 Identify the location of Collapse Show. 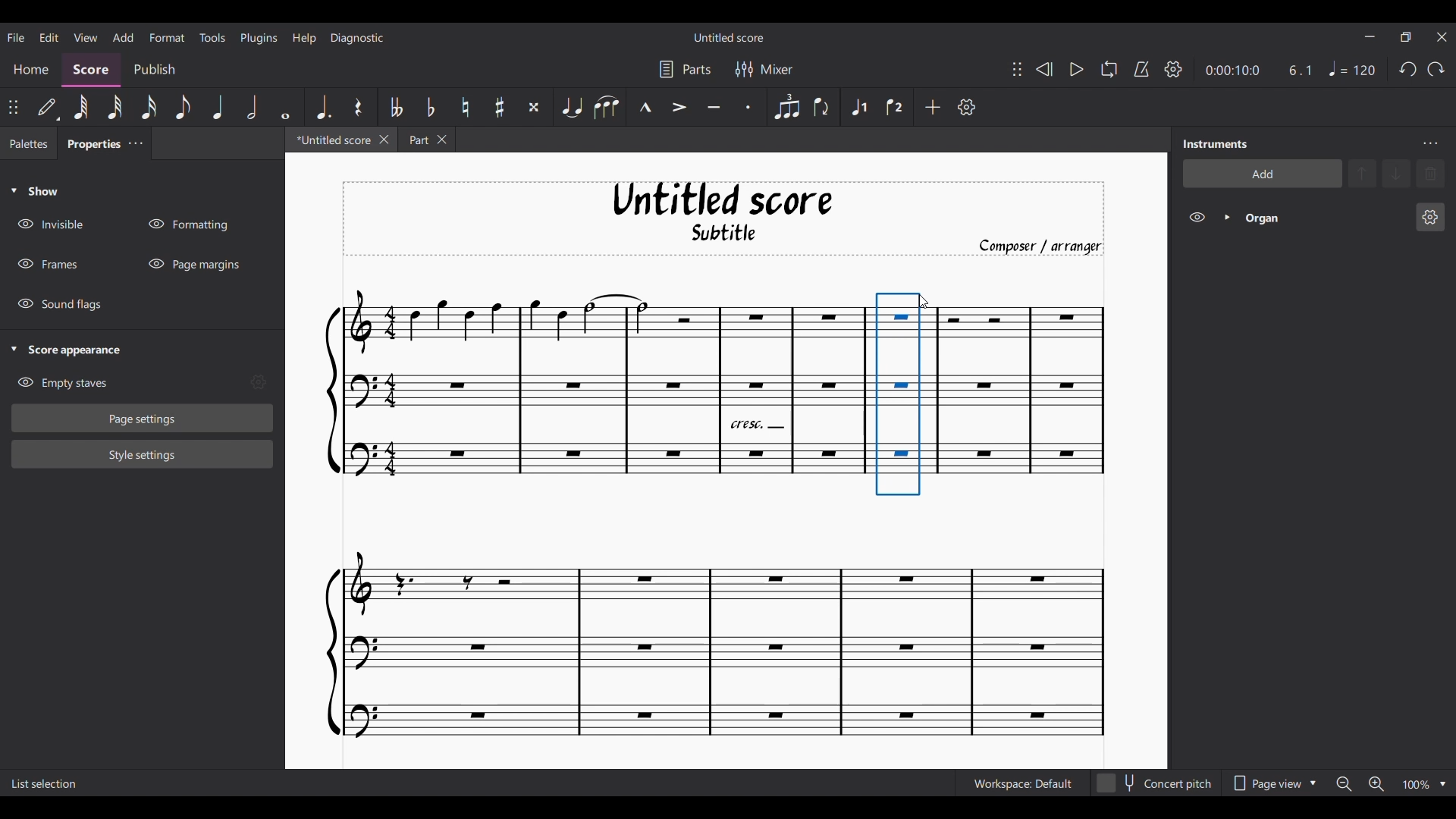
(34, 190).